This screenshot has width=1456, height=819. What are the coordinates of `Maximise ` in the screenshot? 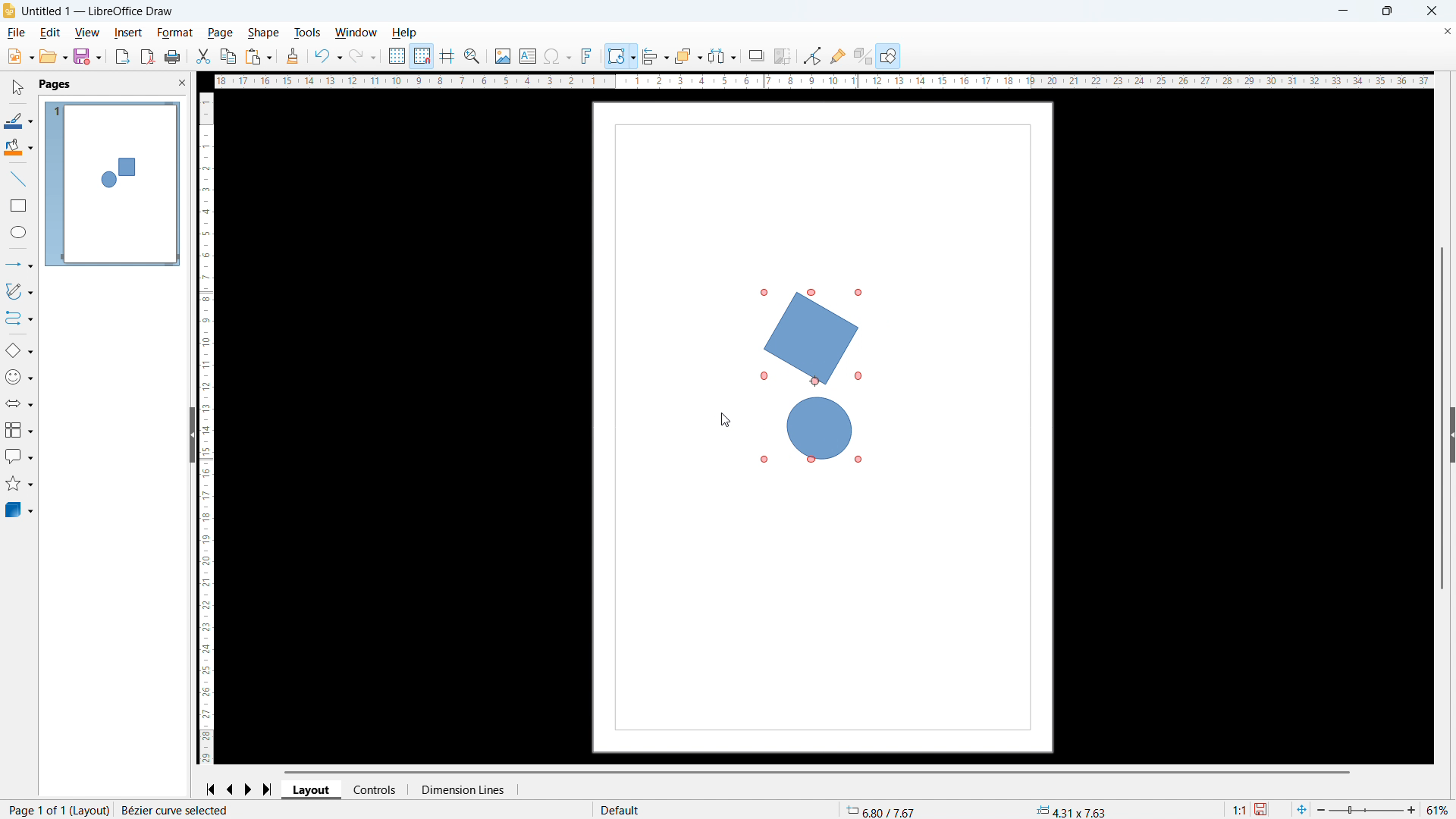 It's located at (1387, 11).